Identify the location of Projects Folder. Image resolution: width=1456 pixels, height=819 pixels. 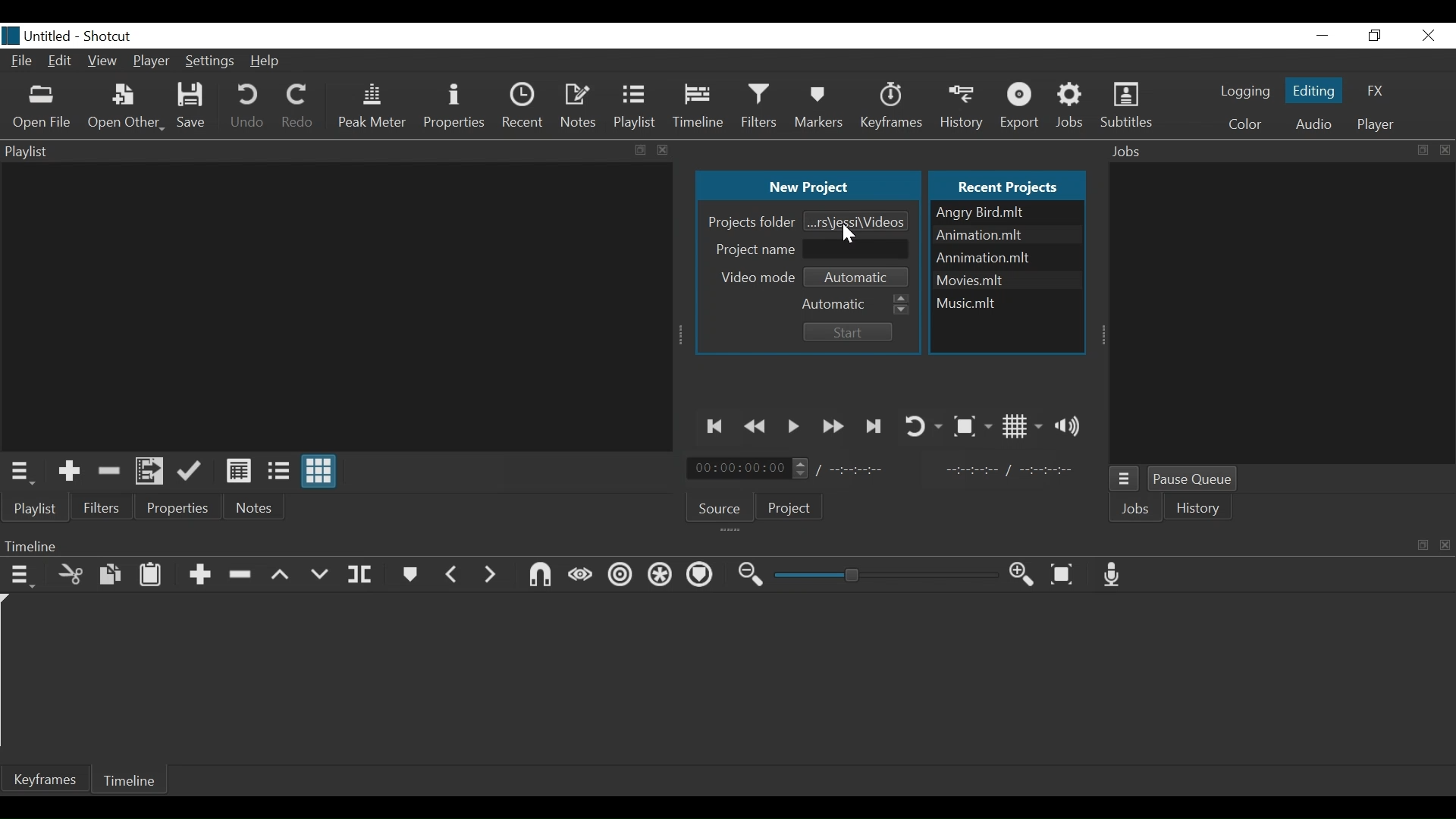
(749, 221).